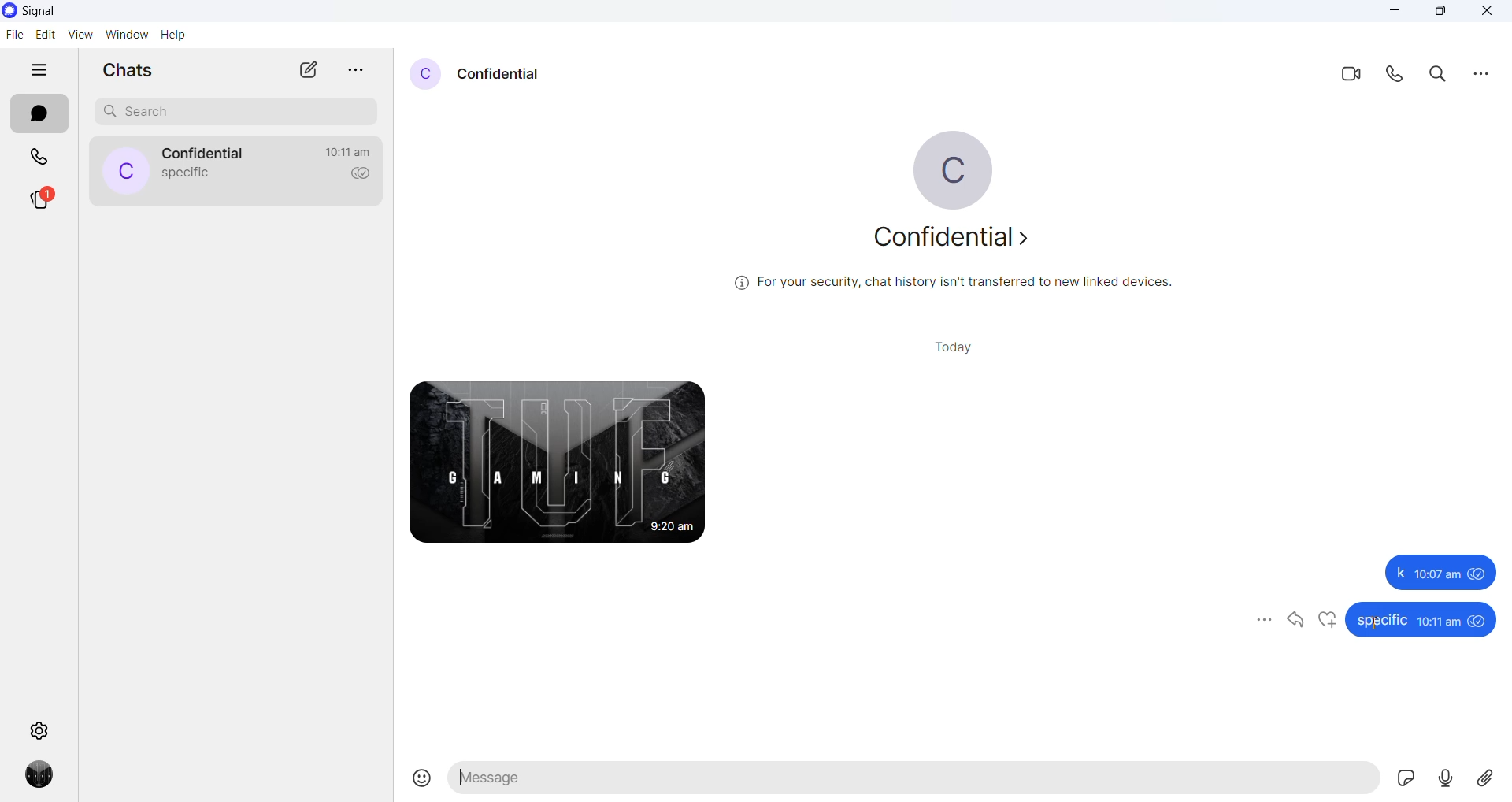 The image size is (1512, 802). I want to click on voice mail, so click(1447, 778).